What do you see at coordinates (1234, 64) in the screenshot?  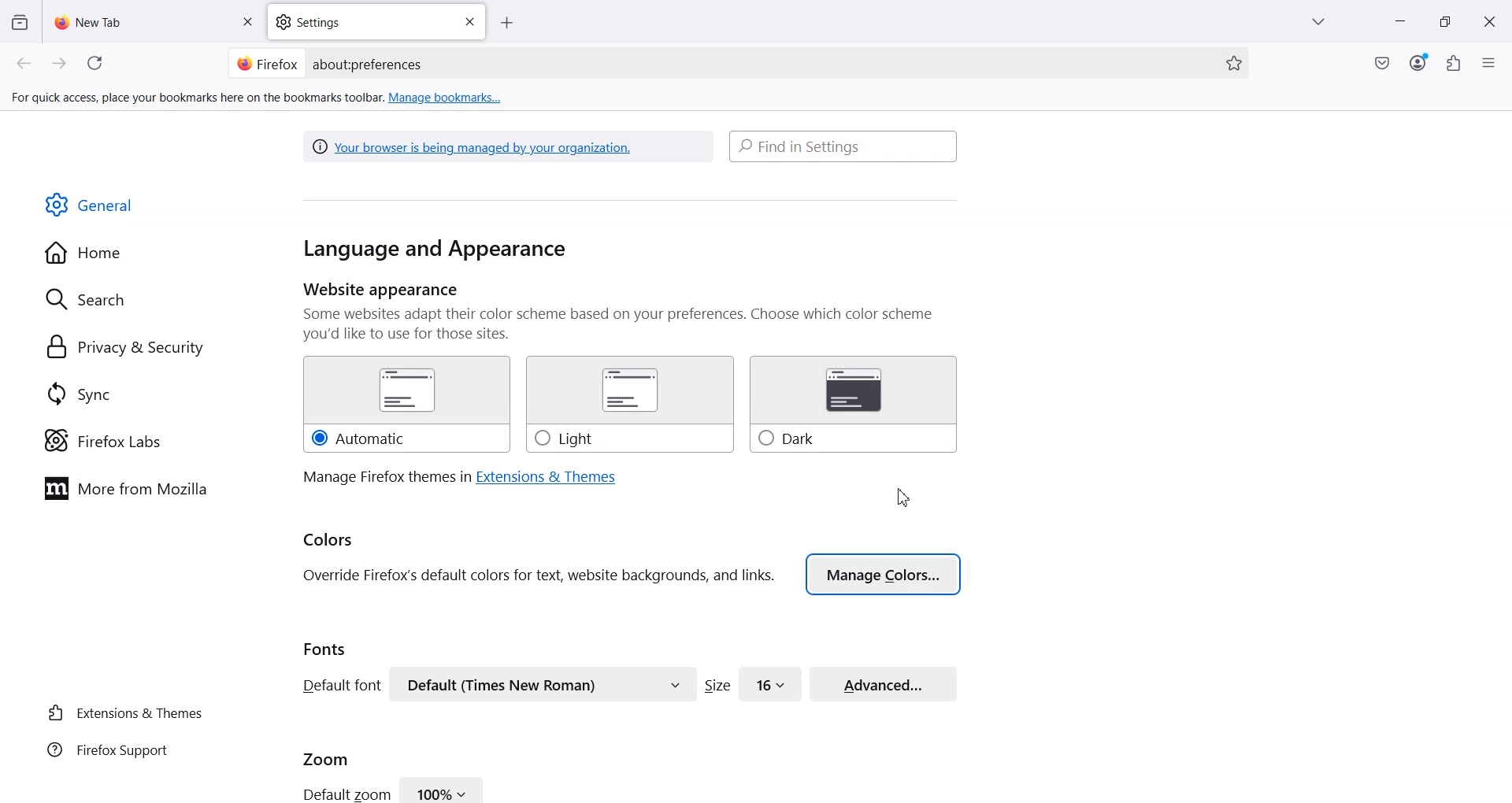 I see `Starred` at bounding box center [1234, 64].